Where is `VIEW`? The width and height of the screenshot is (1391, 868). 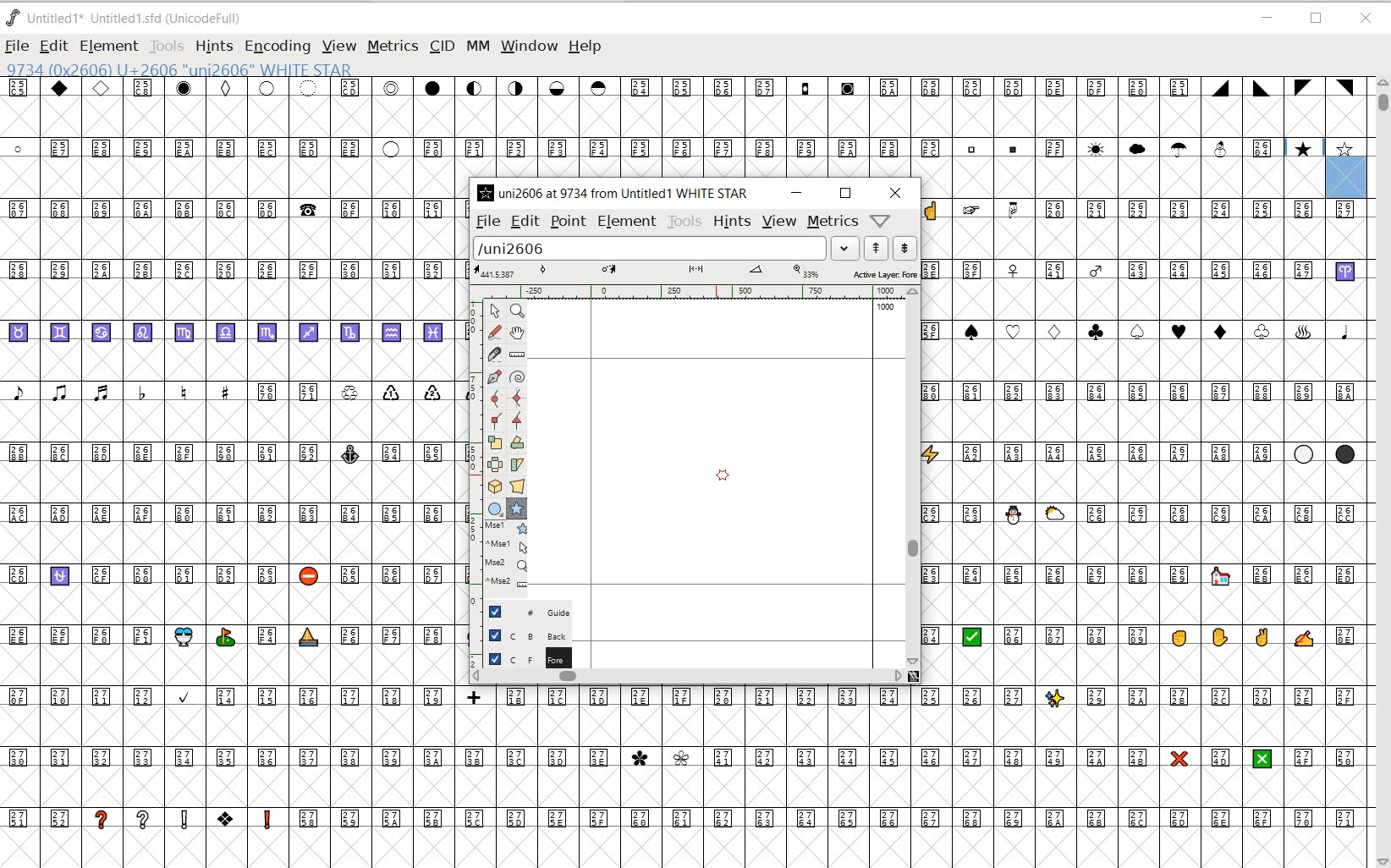 VIEW is located at coordinates (779, 222).